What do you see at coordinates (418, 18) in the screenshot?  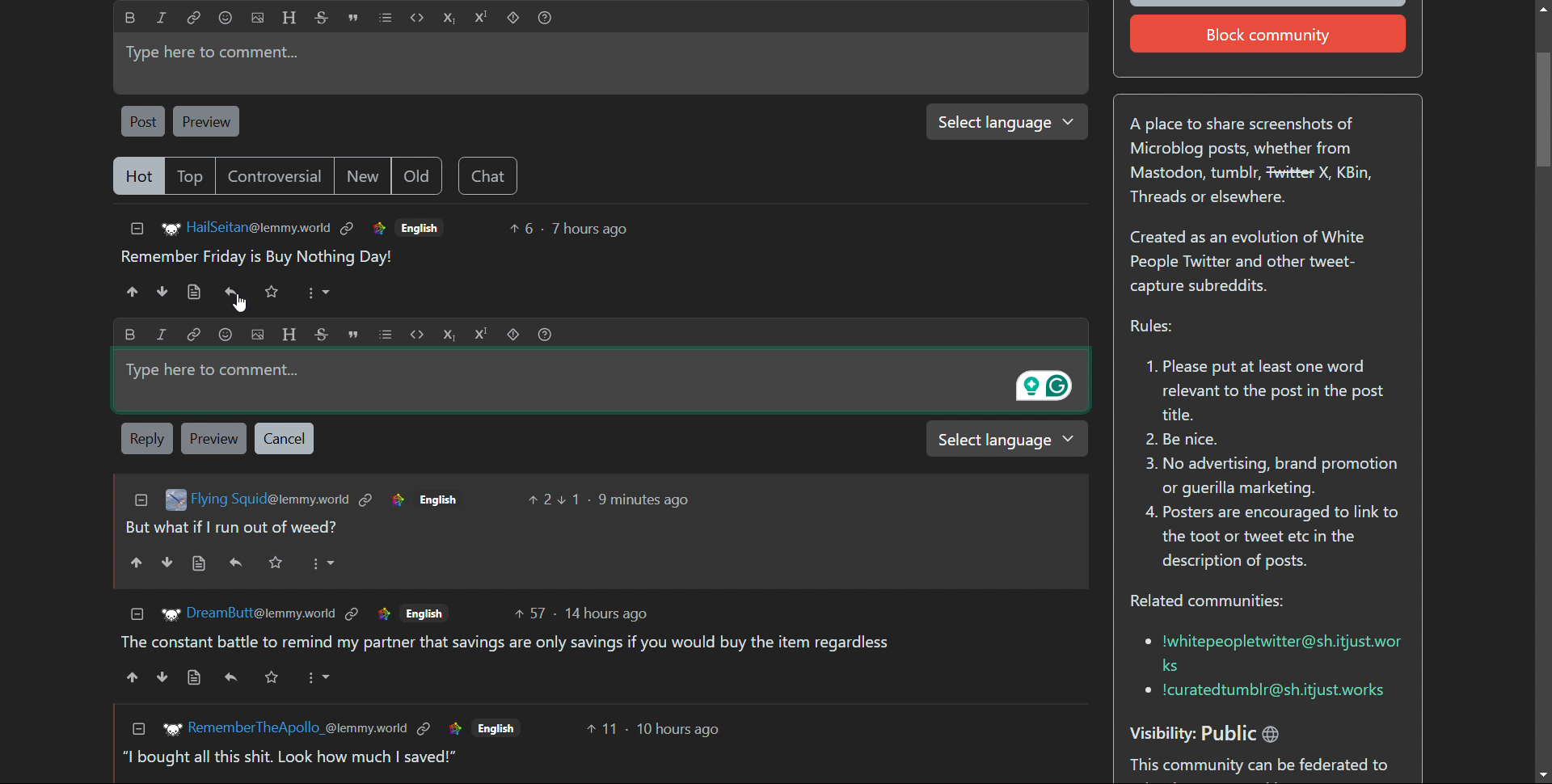 I see `code` at bounding box center [418, 18].